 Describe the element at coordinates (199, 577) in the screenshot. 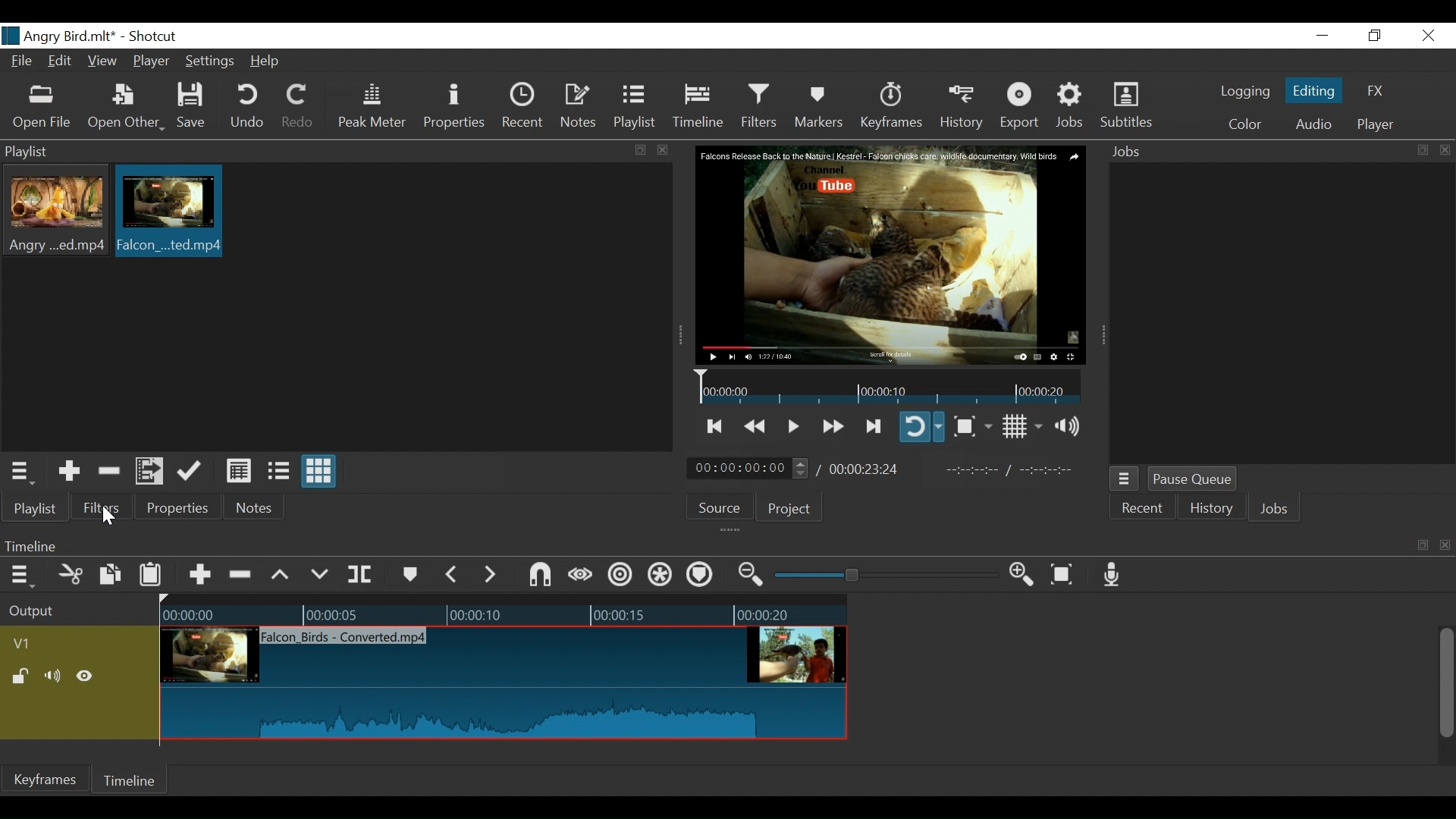

I see `Append` at that location.